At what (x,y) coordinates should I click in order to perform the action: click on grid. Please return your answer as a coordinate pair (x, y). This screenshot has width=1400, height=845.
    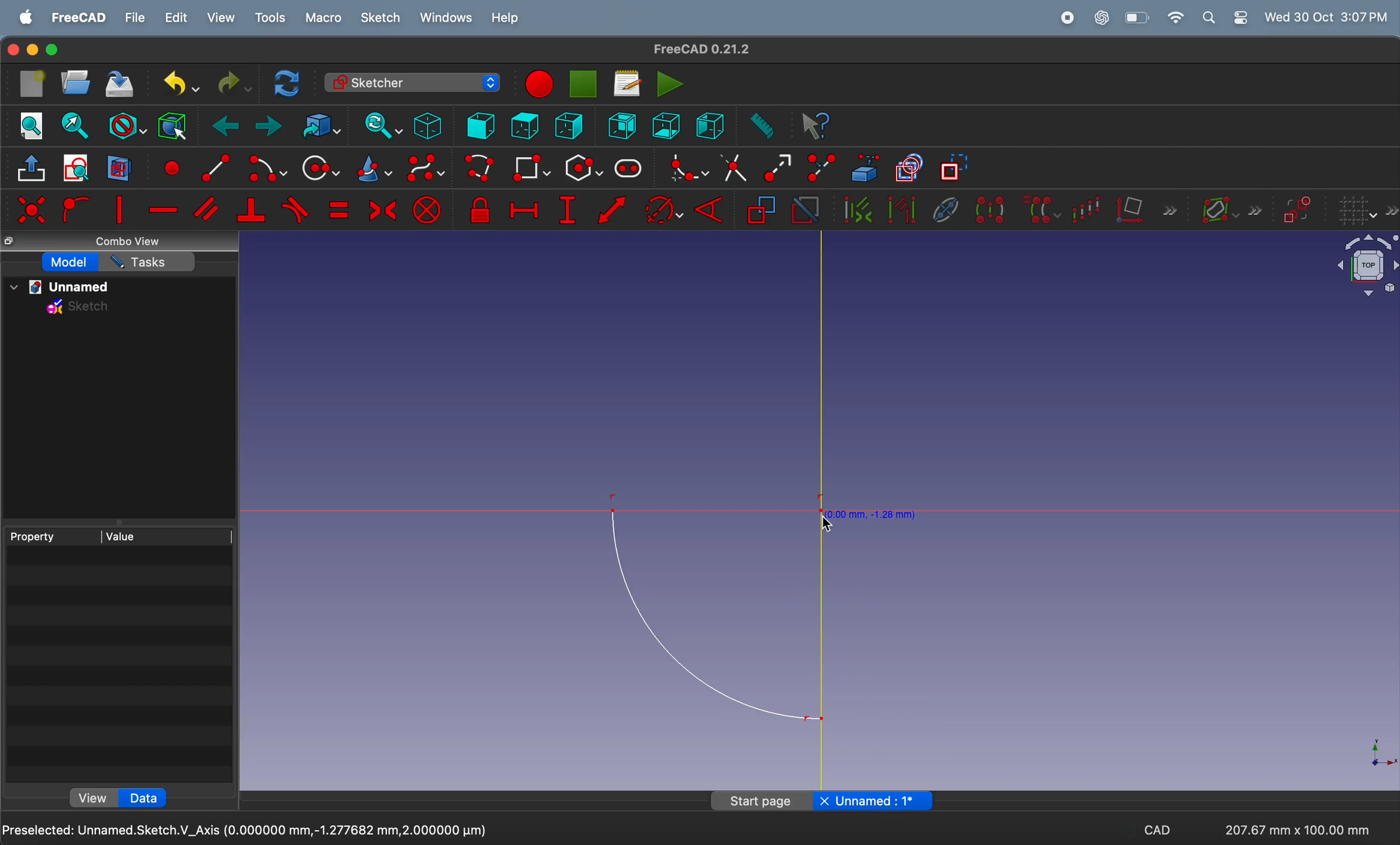
    Looking at the image, I should click on (1367, 211).